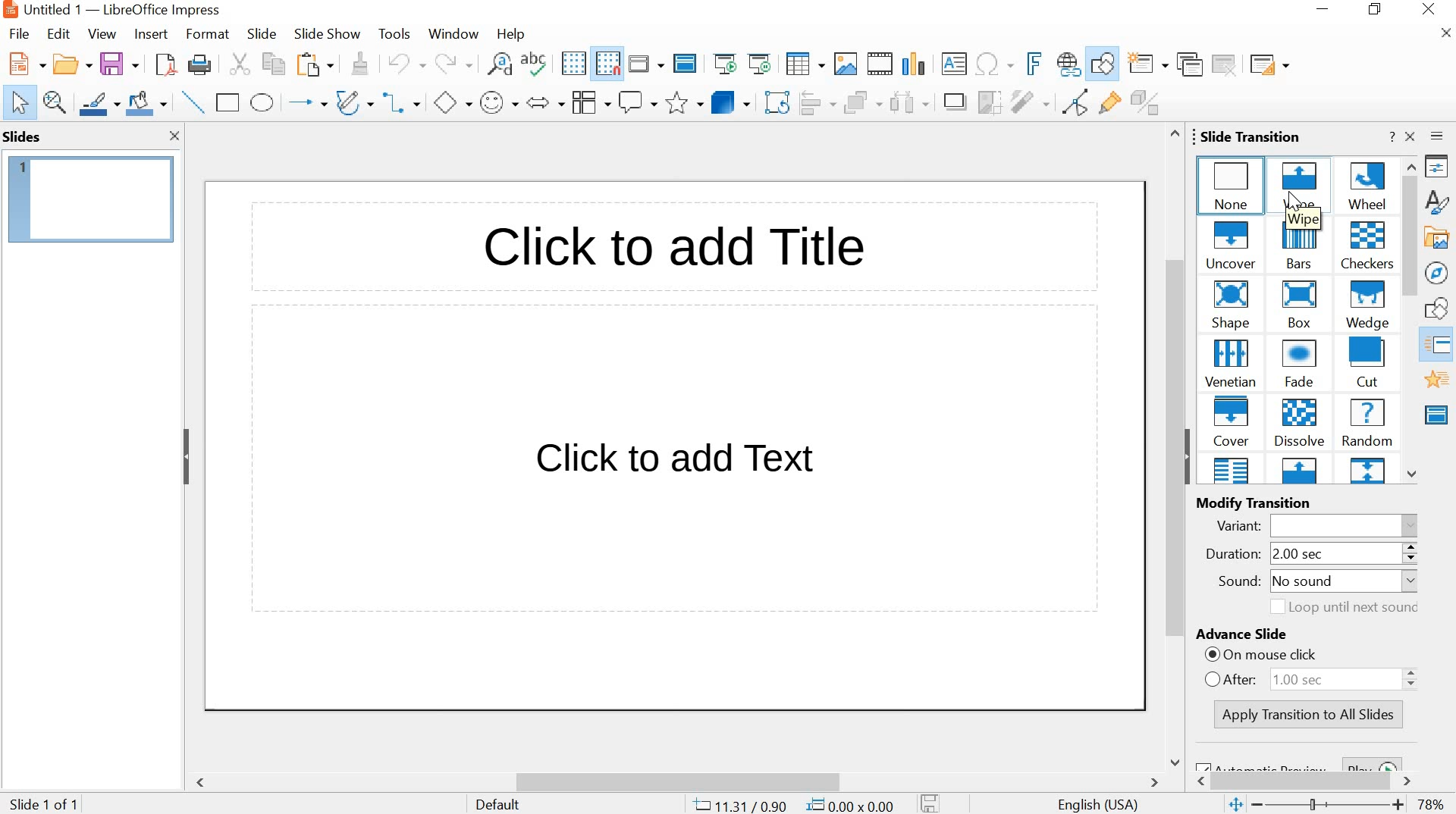  I want to click on Arrange, so click(863, 101).